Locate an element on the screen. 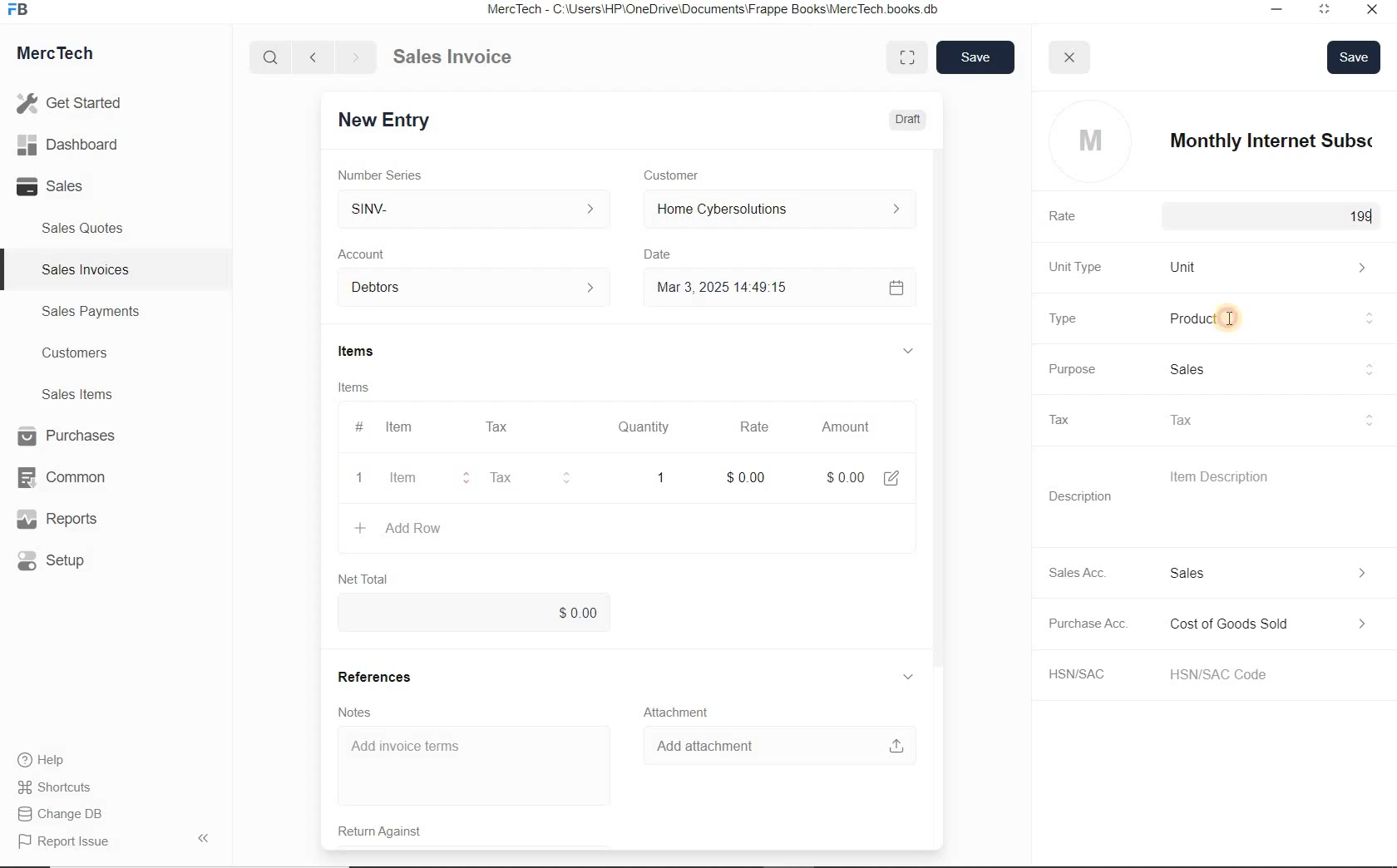  Net Total is located at coordinates (362, 579).